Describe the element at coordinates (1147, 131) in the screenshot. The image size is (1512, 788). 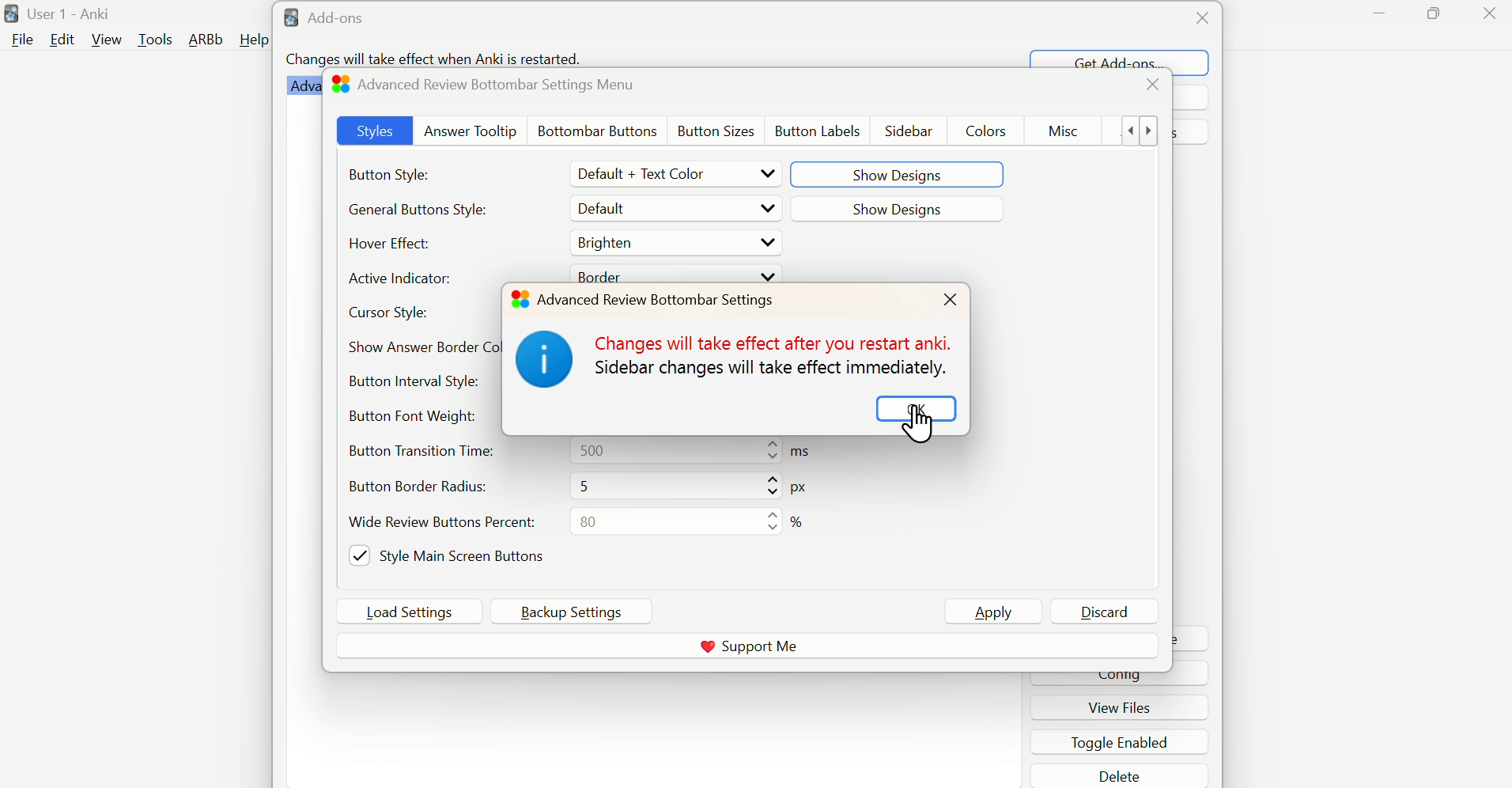
I see `show more` at that location.